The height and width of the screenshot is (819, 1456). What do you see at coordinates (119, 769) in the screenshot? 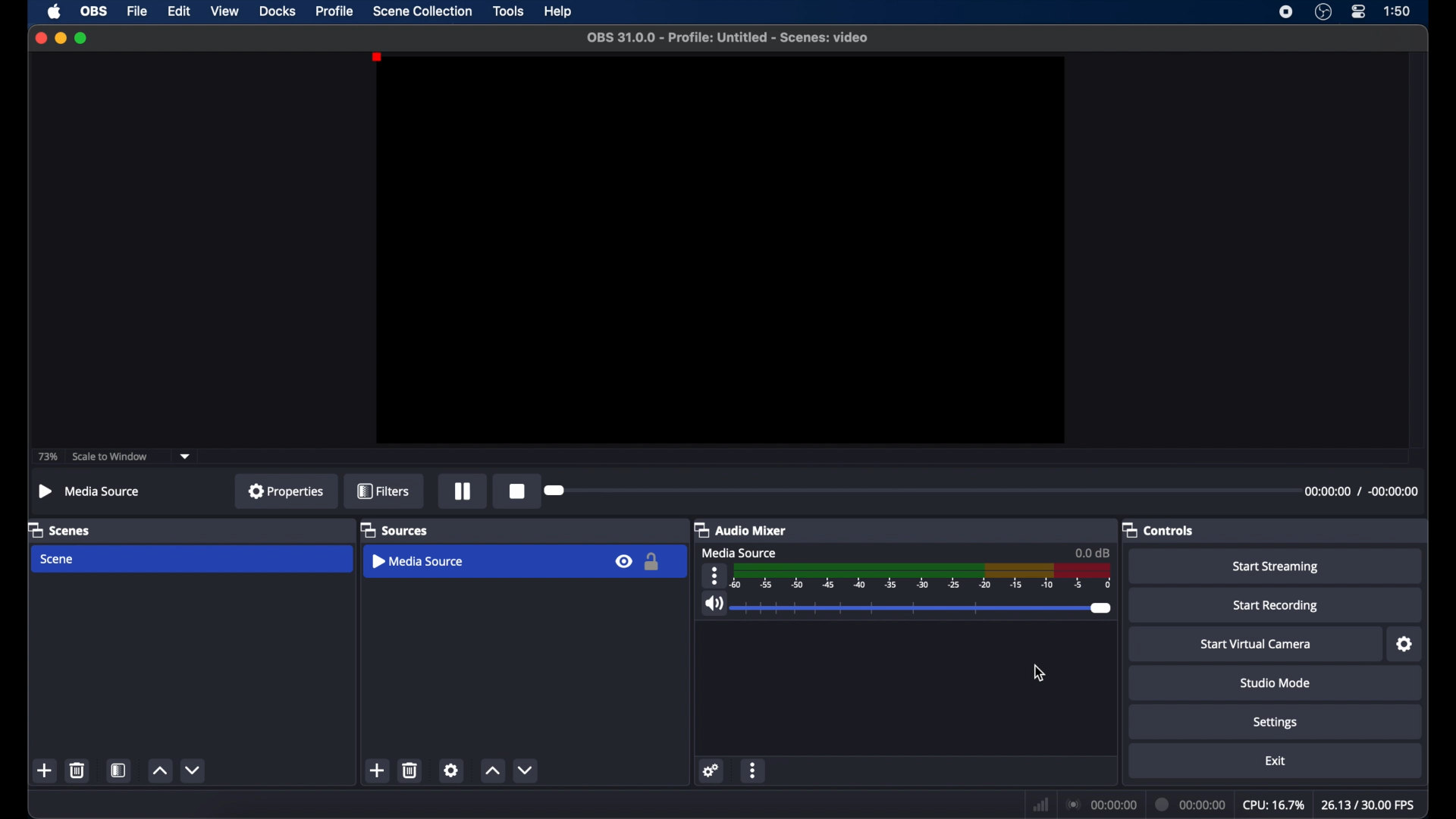
I see `scene filters` at bounding box center [119, 769].